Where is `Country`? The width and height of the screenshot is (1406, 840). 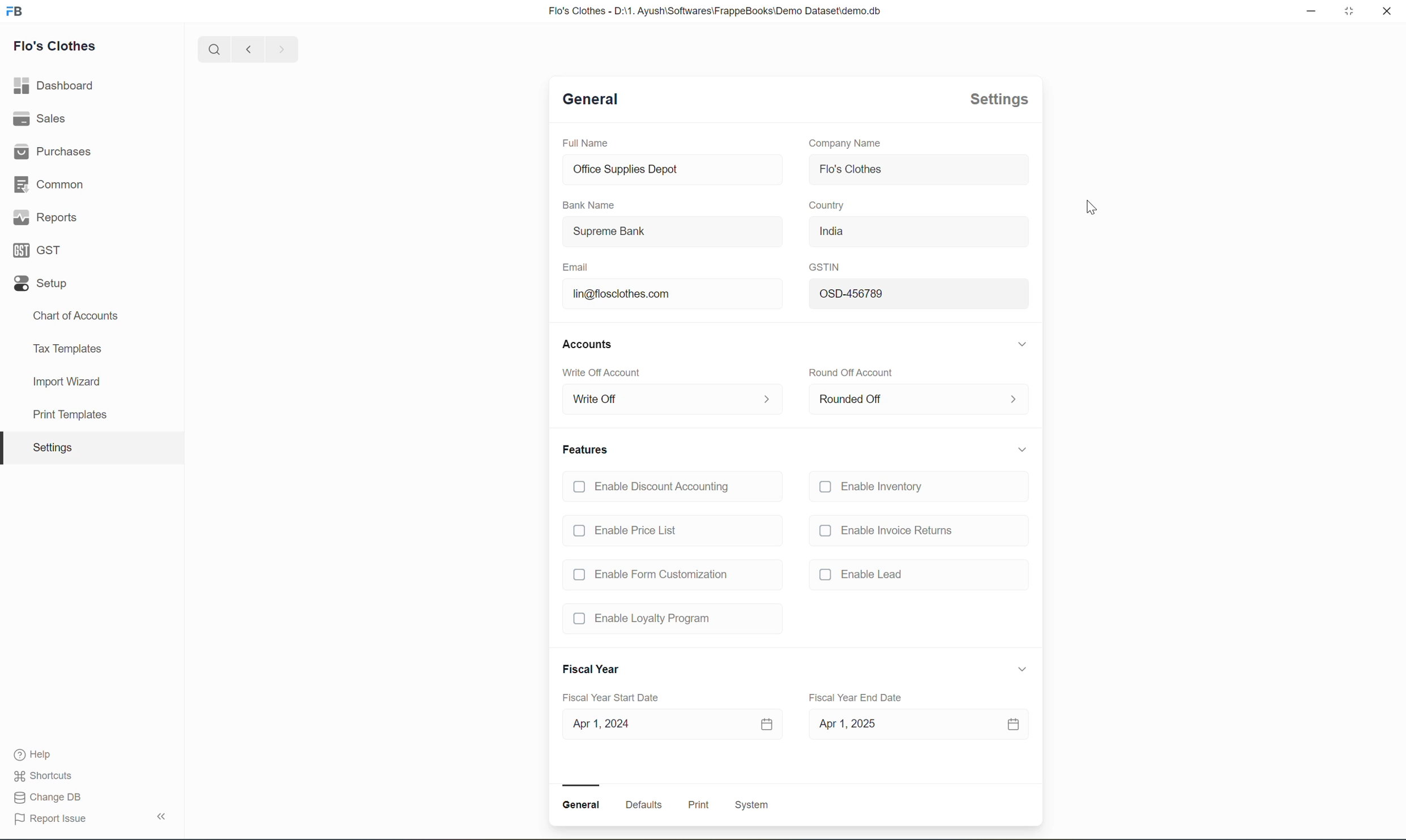 Country is located at coordinates (826, 205).